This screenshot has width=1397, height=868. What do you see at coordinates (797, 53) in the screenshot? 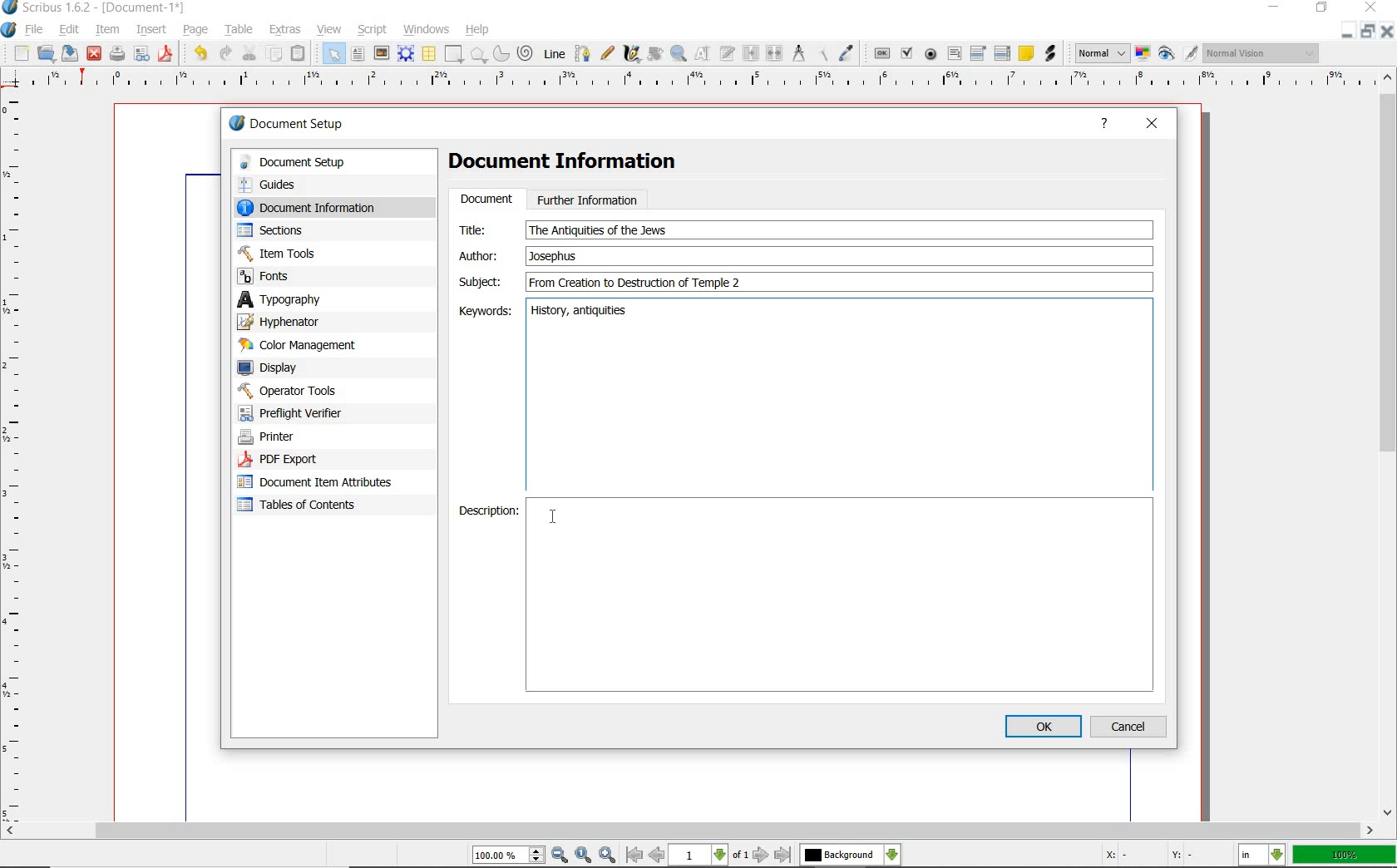
I see `measurements` at bounding box center [797, 53].